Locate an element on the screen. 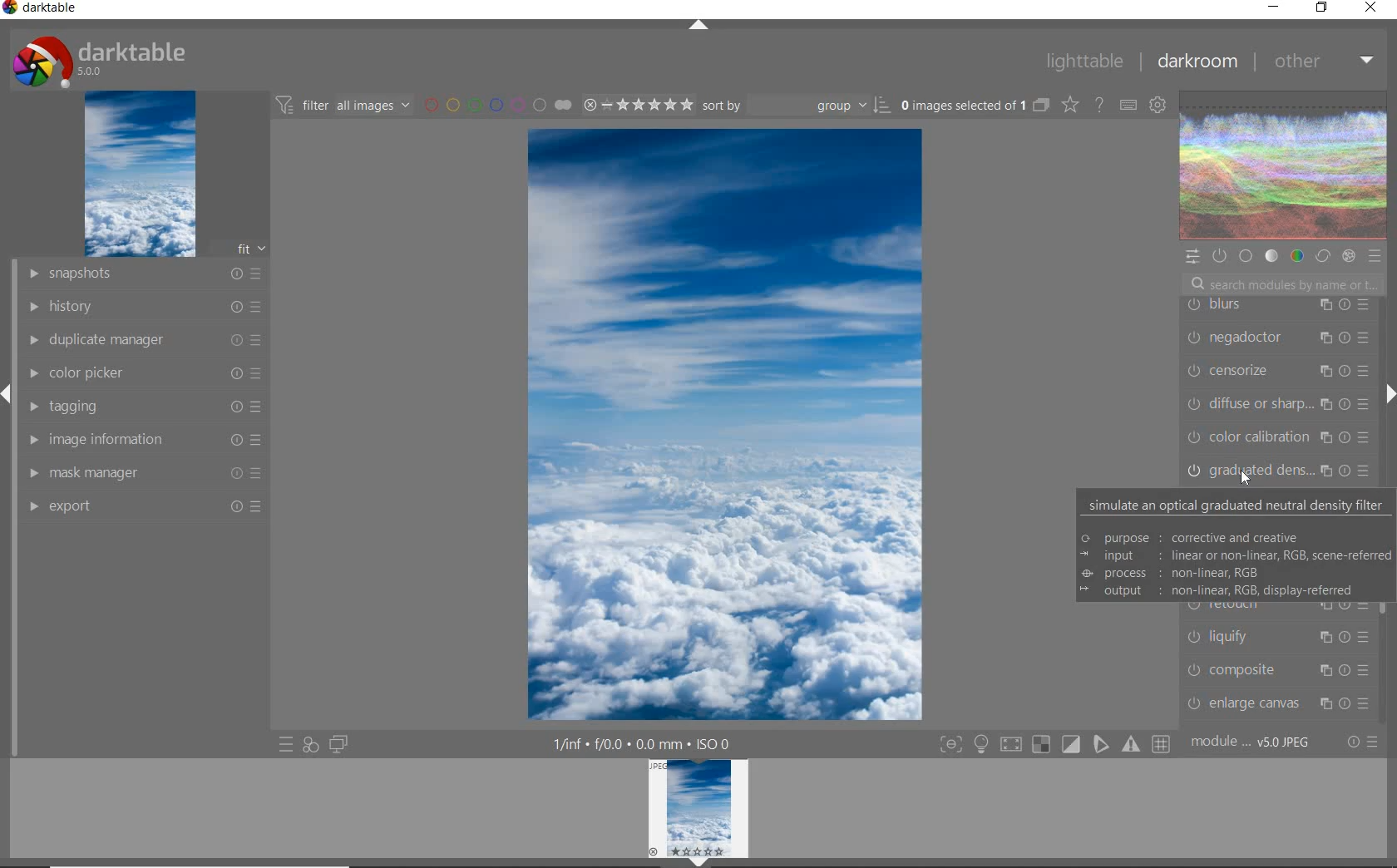 The height and width of the screenshot is (868, 1397). EXPORT is located at coordinates (143, 506).